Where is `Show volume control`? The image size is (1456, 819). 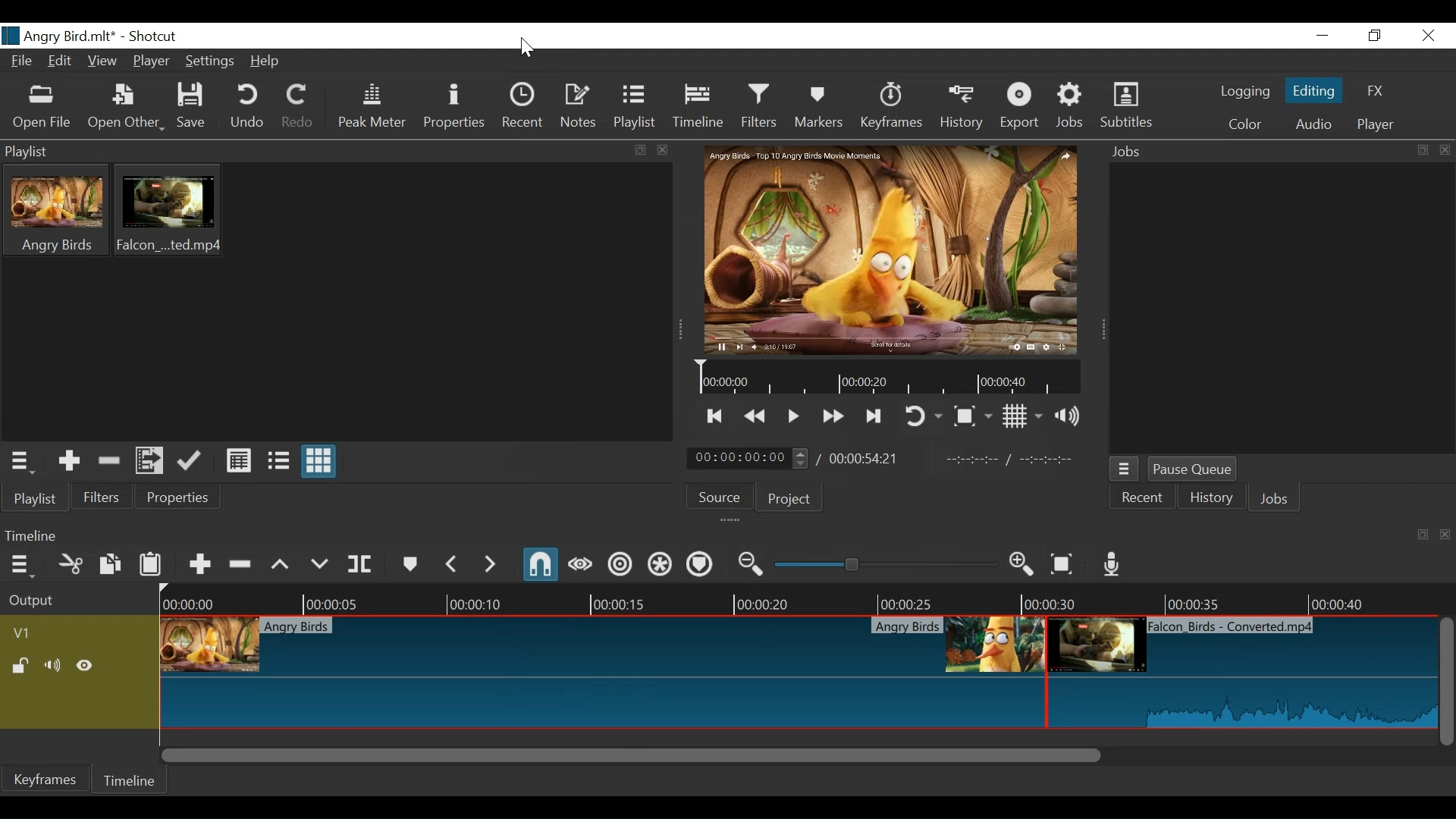
Show volume control is located at coordinates (1067, 415).